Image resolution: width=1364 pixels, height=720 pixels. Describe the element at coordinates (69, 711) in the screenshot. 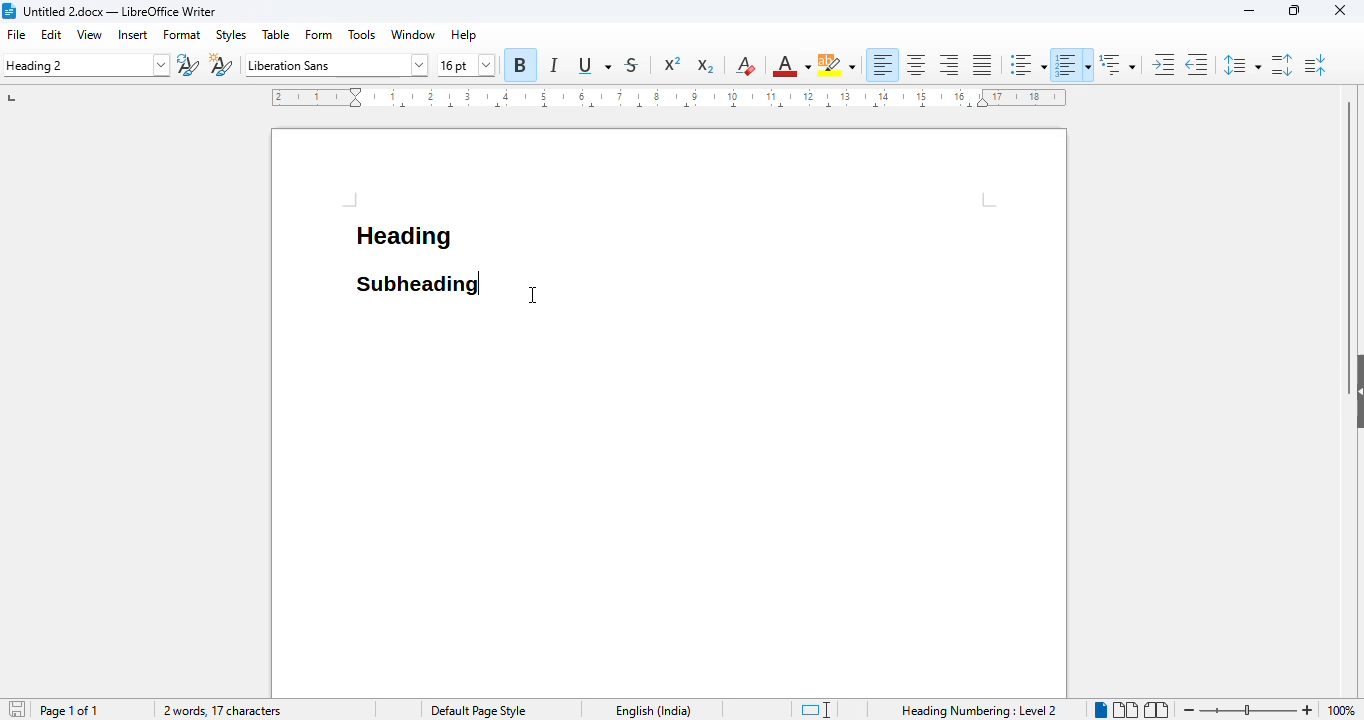

I see `page 1 of 1` at that location.